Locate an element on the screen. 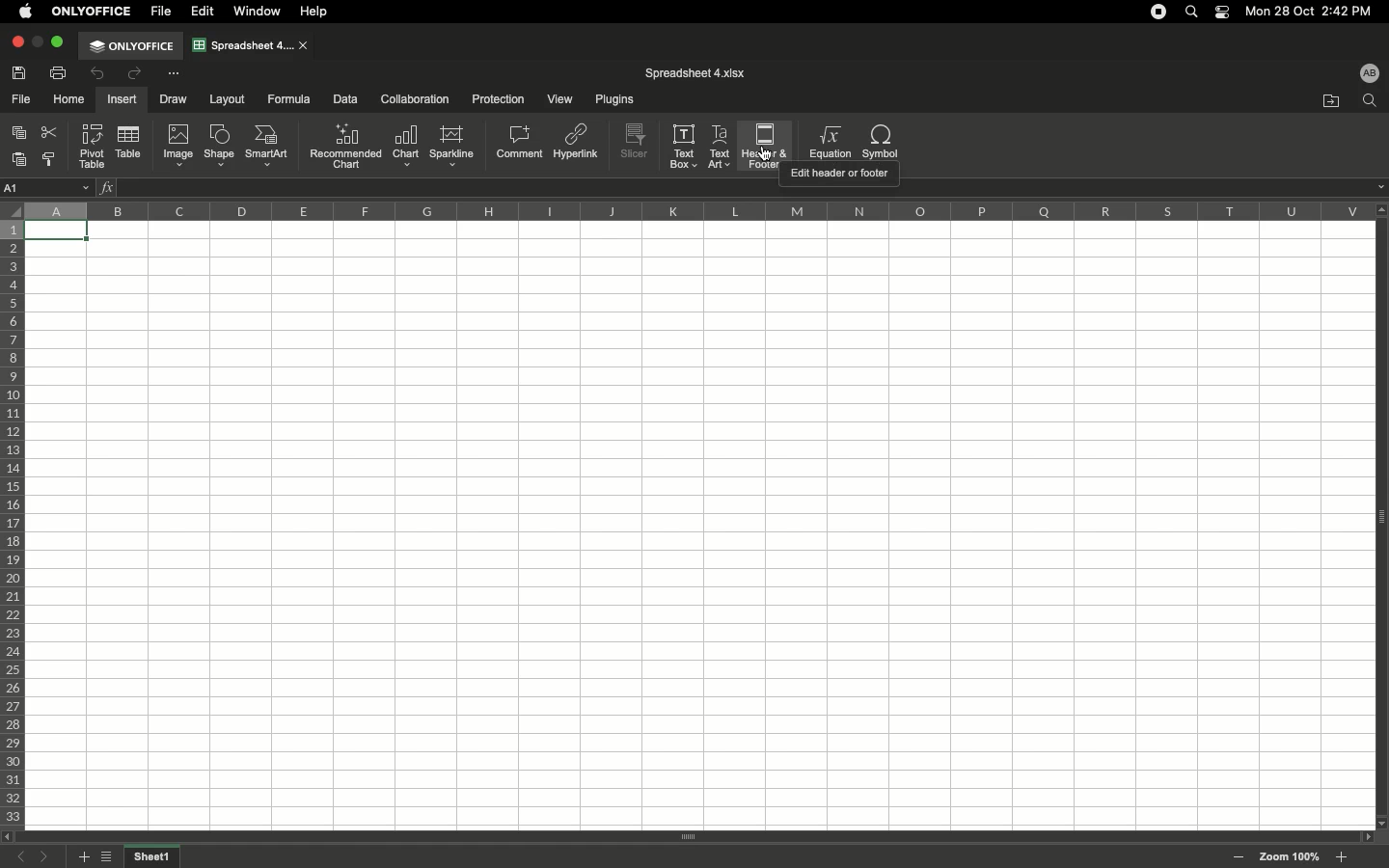  scroll right is located at coordinates (1364, 837).